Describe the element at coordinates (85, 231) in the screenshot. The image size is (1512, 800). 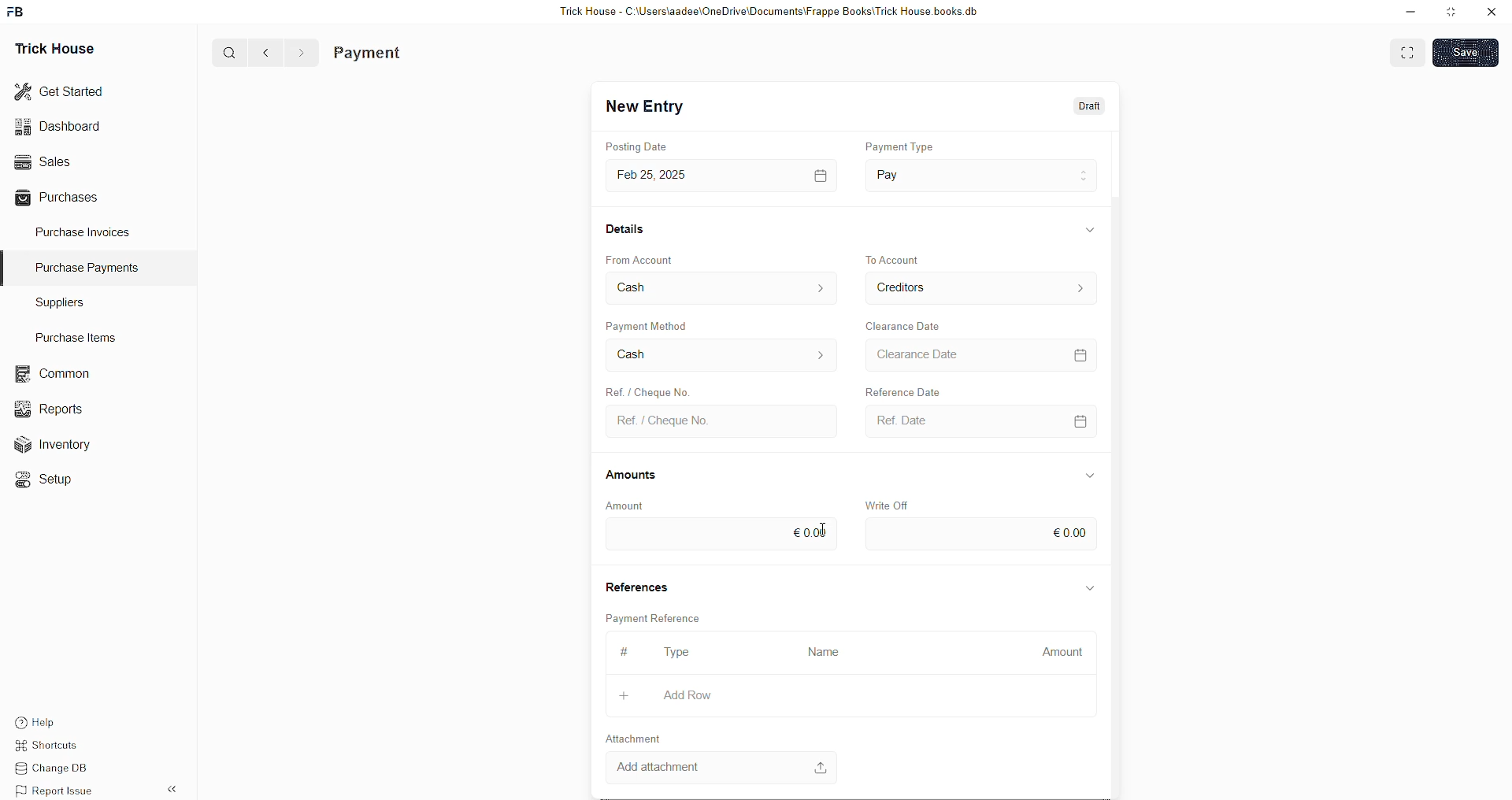
I see `Purchase Invoices` at that location.